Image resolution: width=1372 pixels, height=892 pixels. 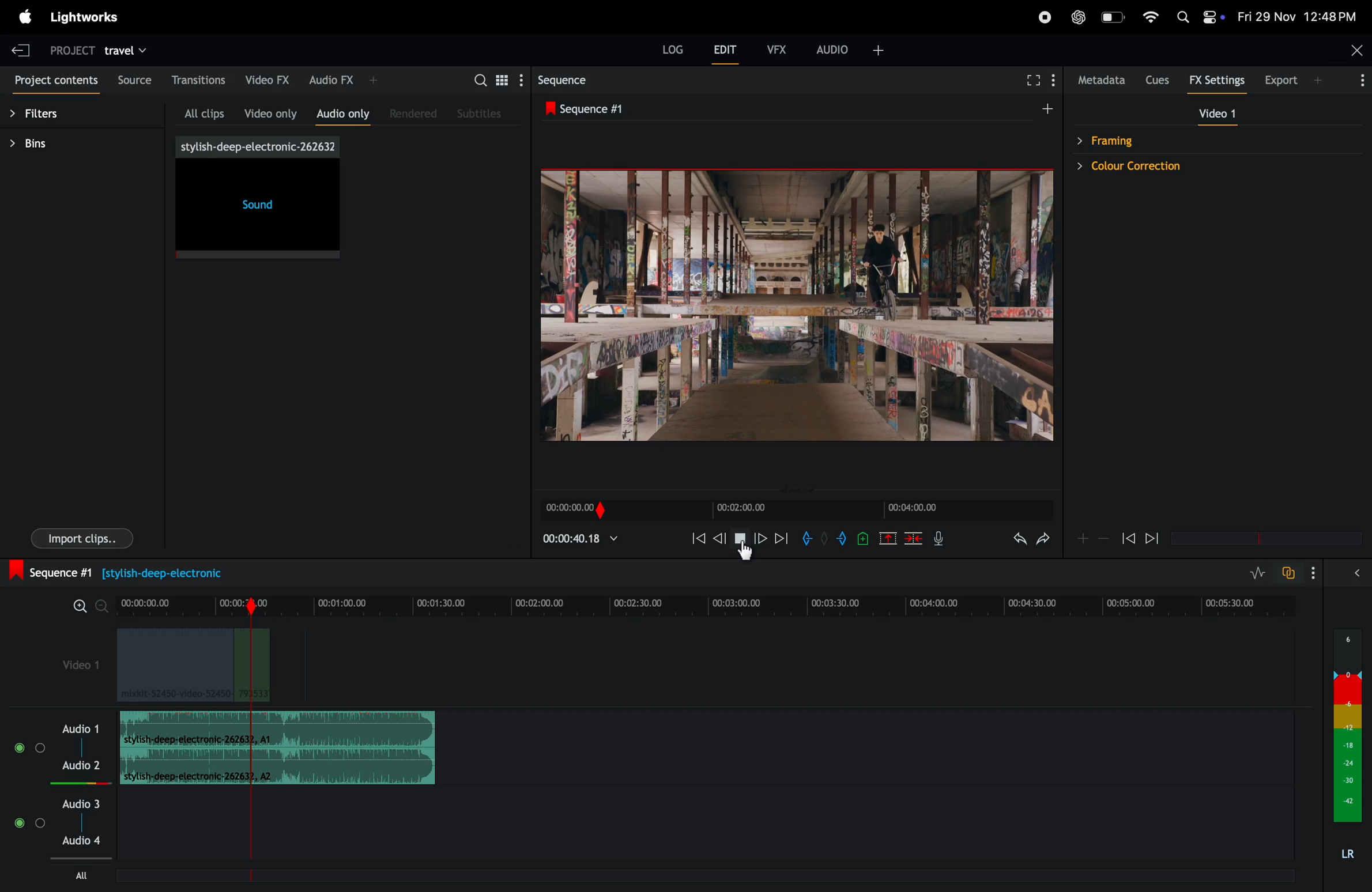 I want to click on vfx, so click(x=775, y=48).